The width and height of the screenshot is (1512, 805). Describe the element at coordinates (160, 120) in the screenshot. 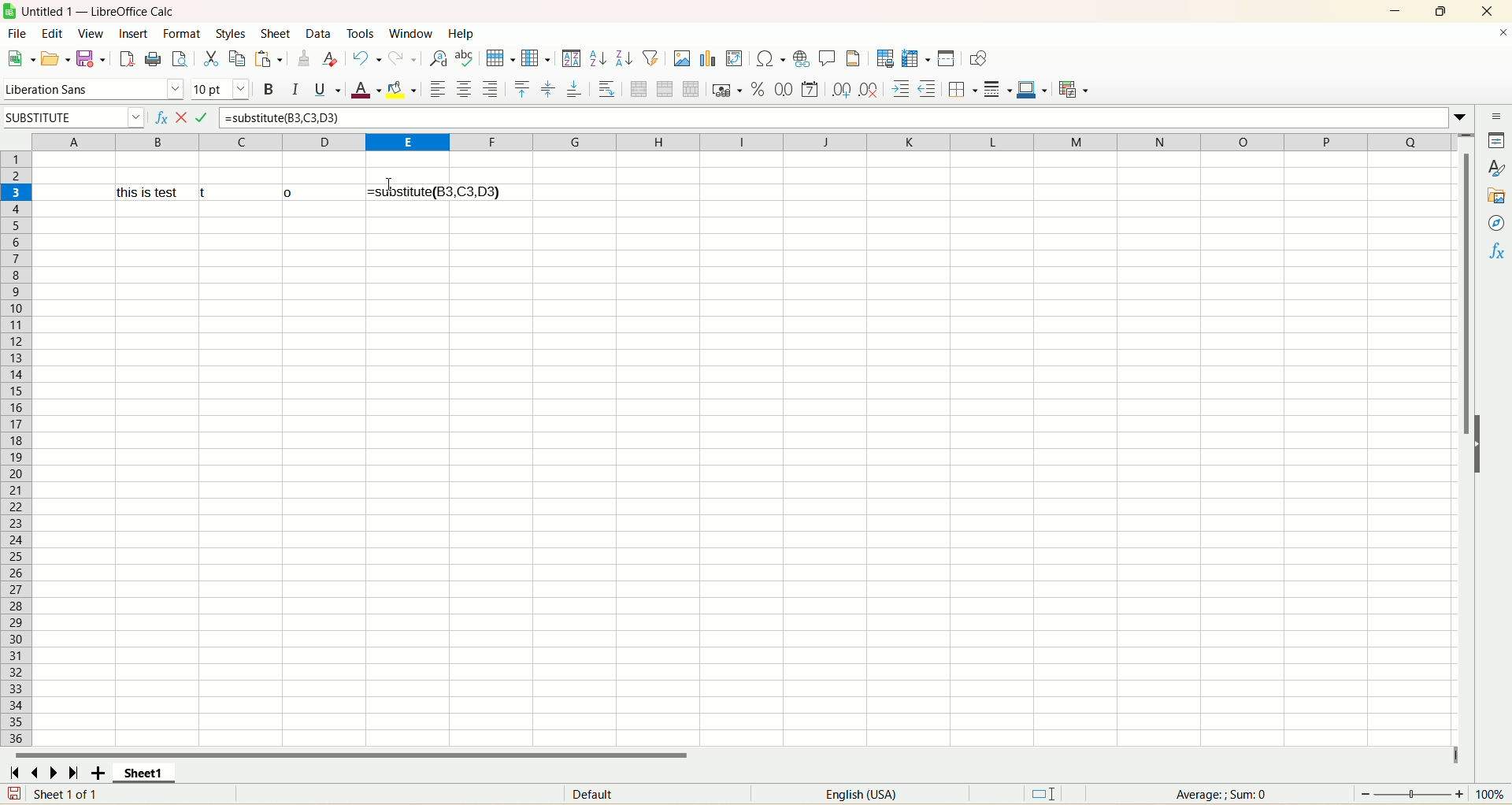

I see `function wizard` at that location.